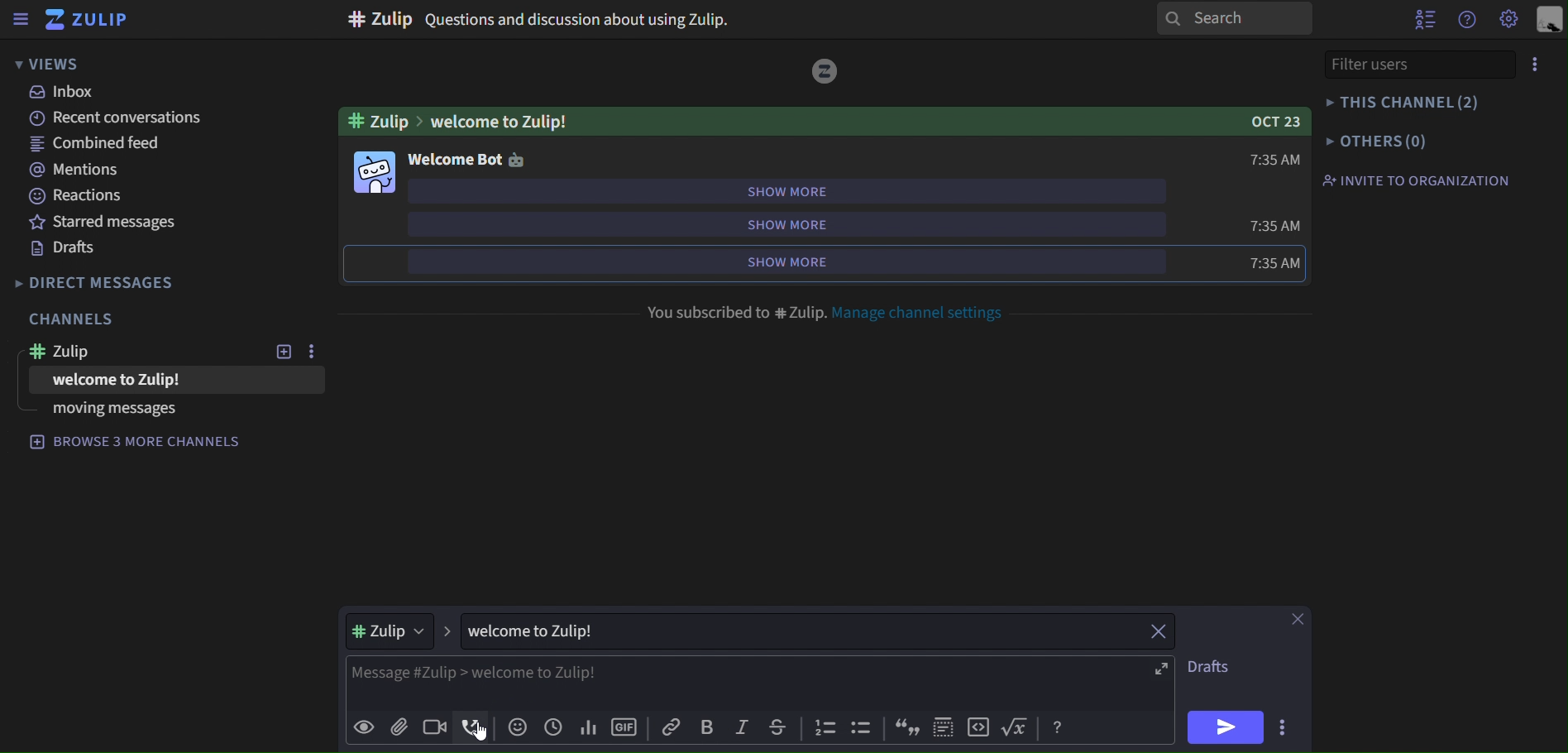 This screenshot has height=753, width=1568. Describe the element at coordinates (944, 727) in the screenshot. I see `icon` at that location.